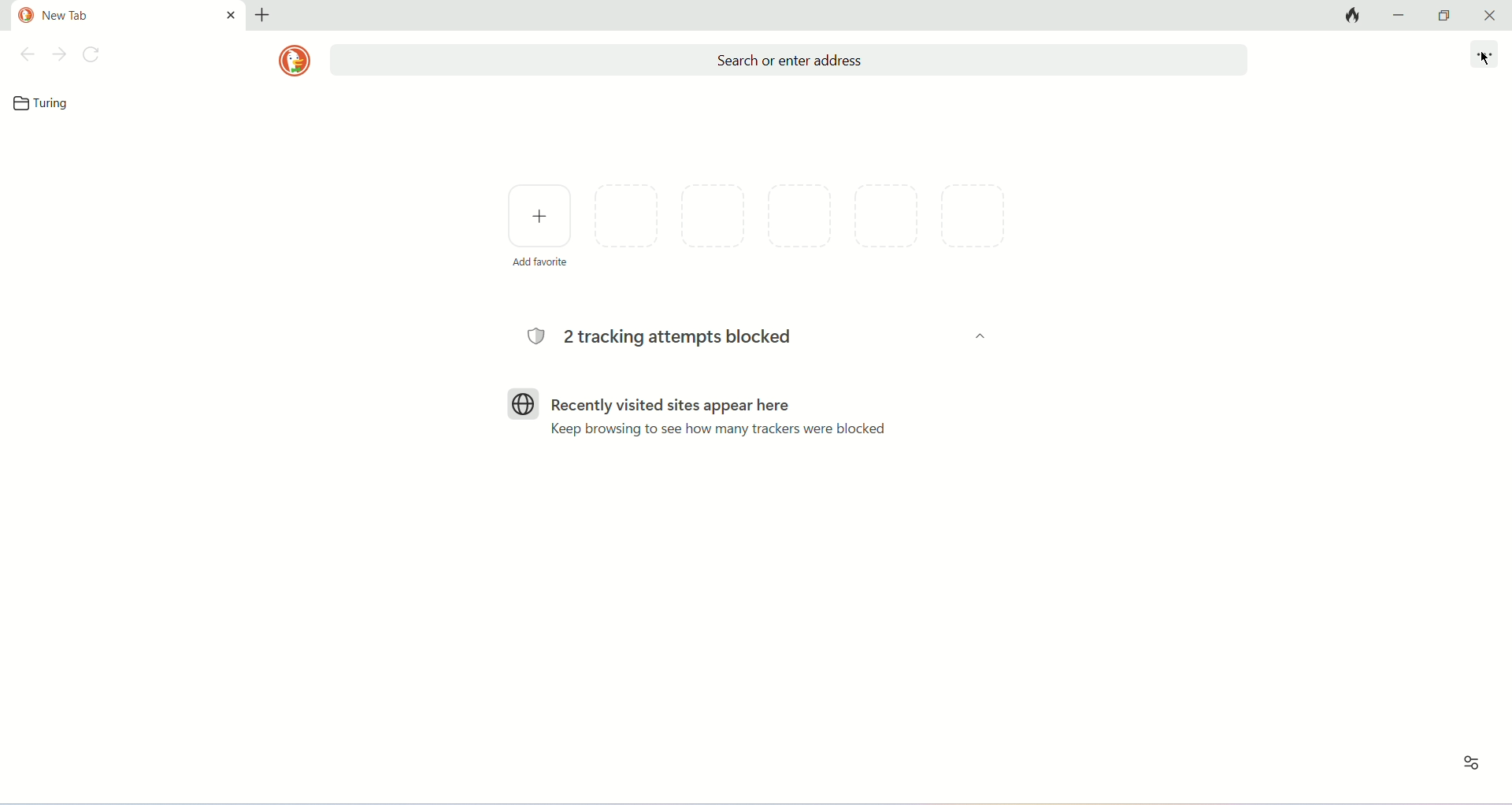  What do you see at coordinates (1447, 16) in the screenshot?
I see `maximize` at bounding box center [1447, 16].